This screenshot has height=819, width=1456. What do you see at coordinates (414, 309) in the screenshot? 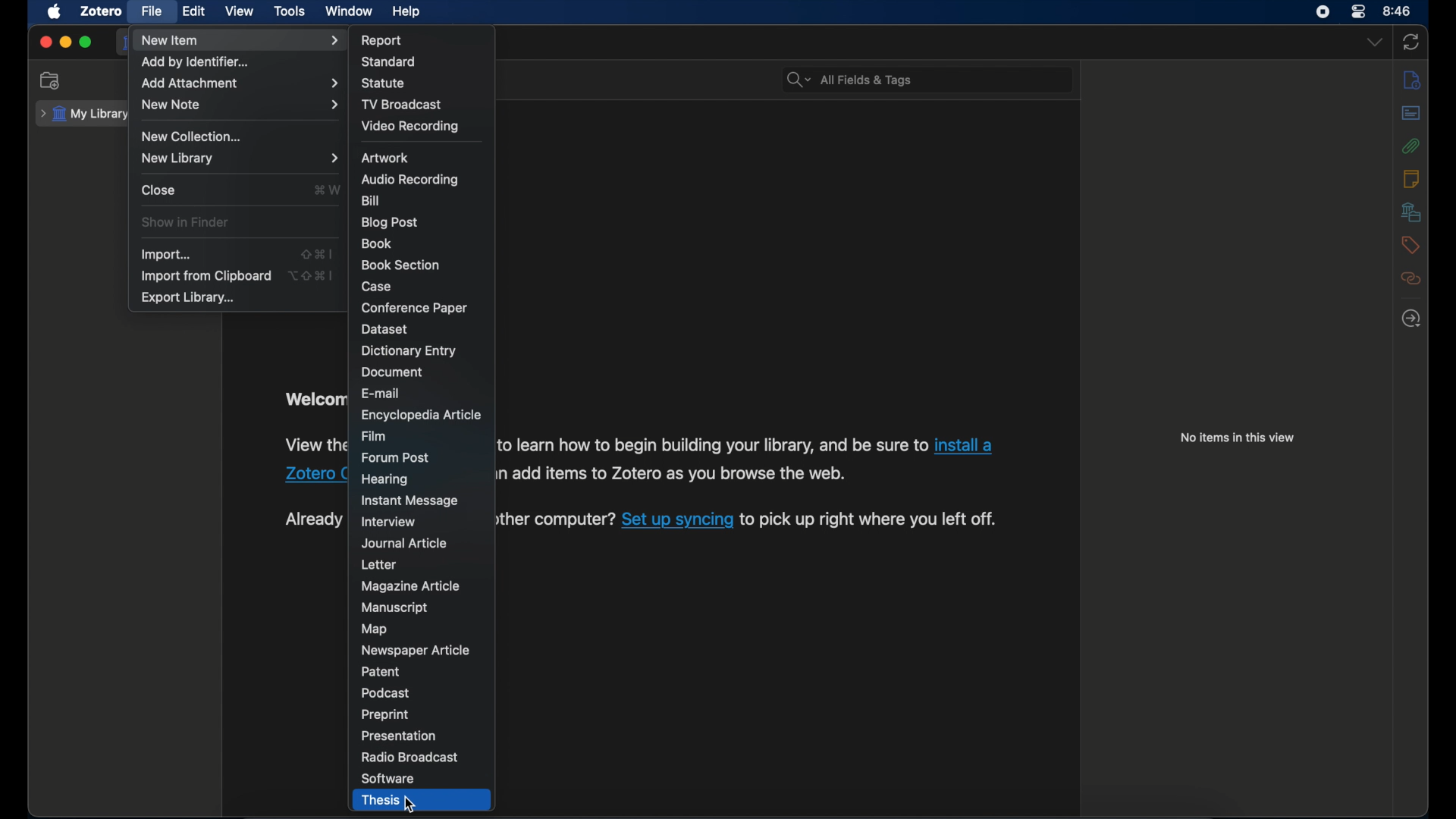
I see `conference paper` at bounding box center [414, 309].